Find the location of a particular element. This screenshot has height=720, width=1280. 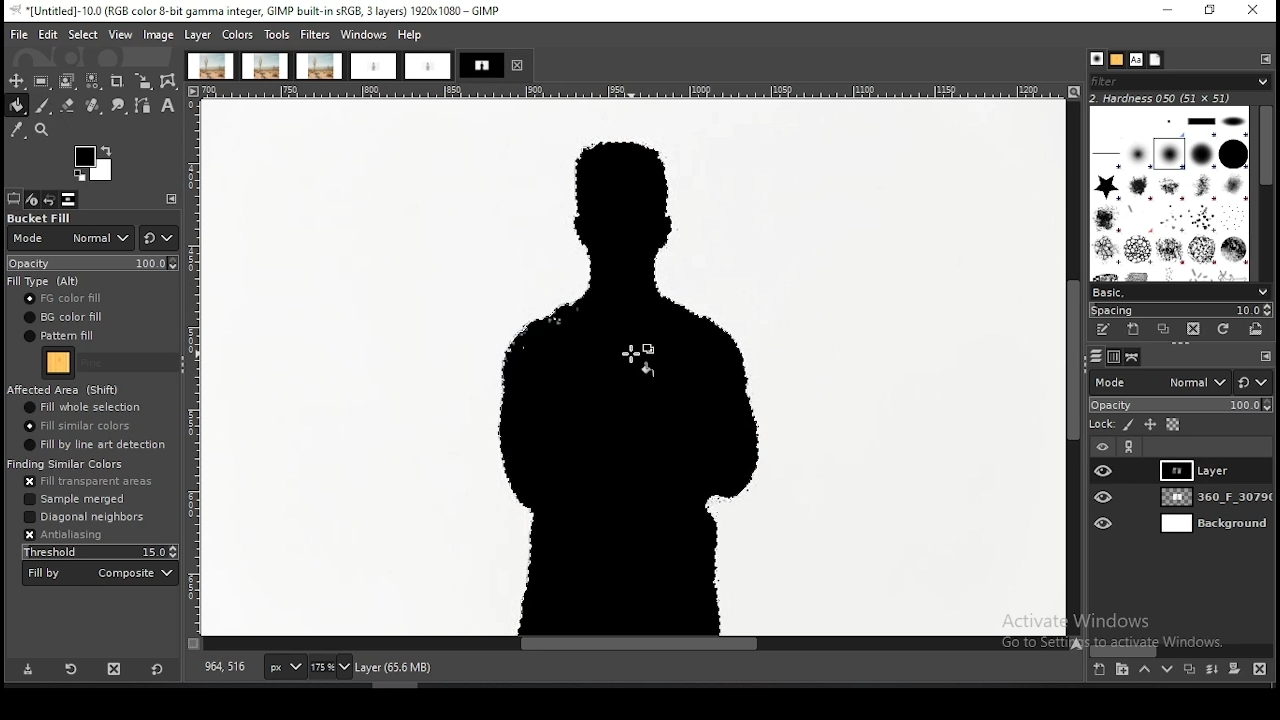

project tab is located at coordinates (428, 67).